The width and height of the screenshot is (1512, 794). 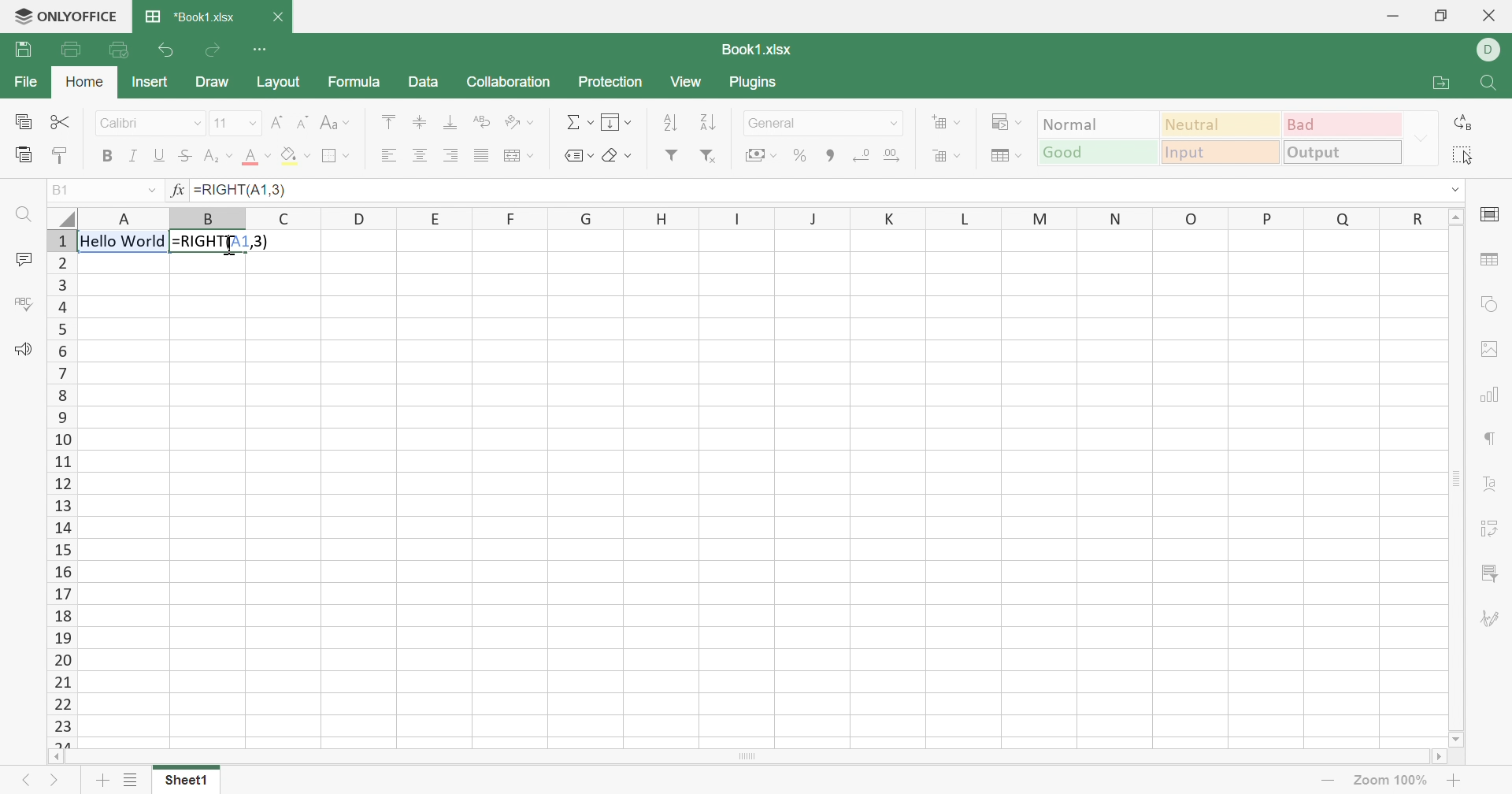 I want to click on Align left, so click(x=391, y=154).